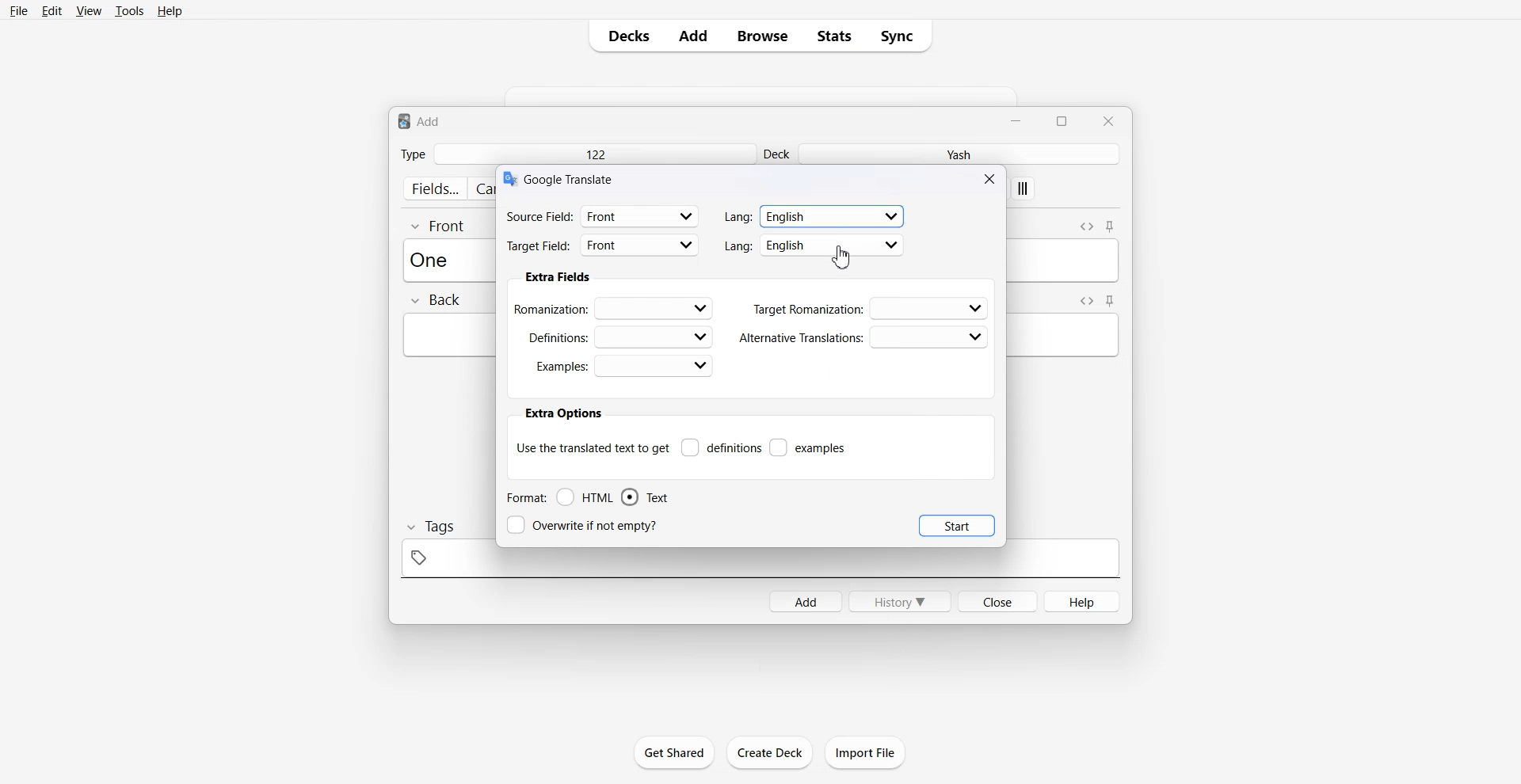 The image size is (1521, 784). Describe the element at coordinates (779, 154) in the screenshot. I see `Deck` at that location.